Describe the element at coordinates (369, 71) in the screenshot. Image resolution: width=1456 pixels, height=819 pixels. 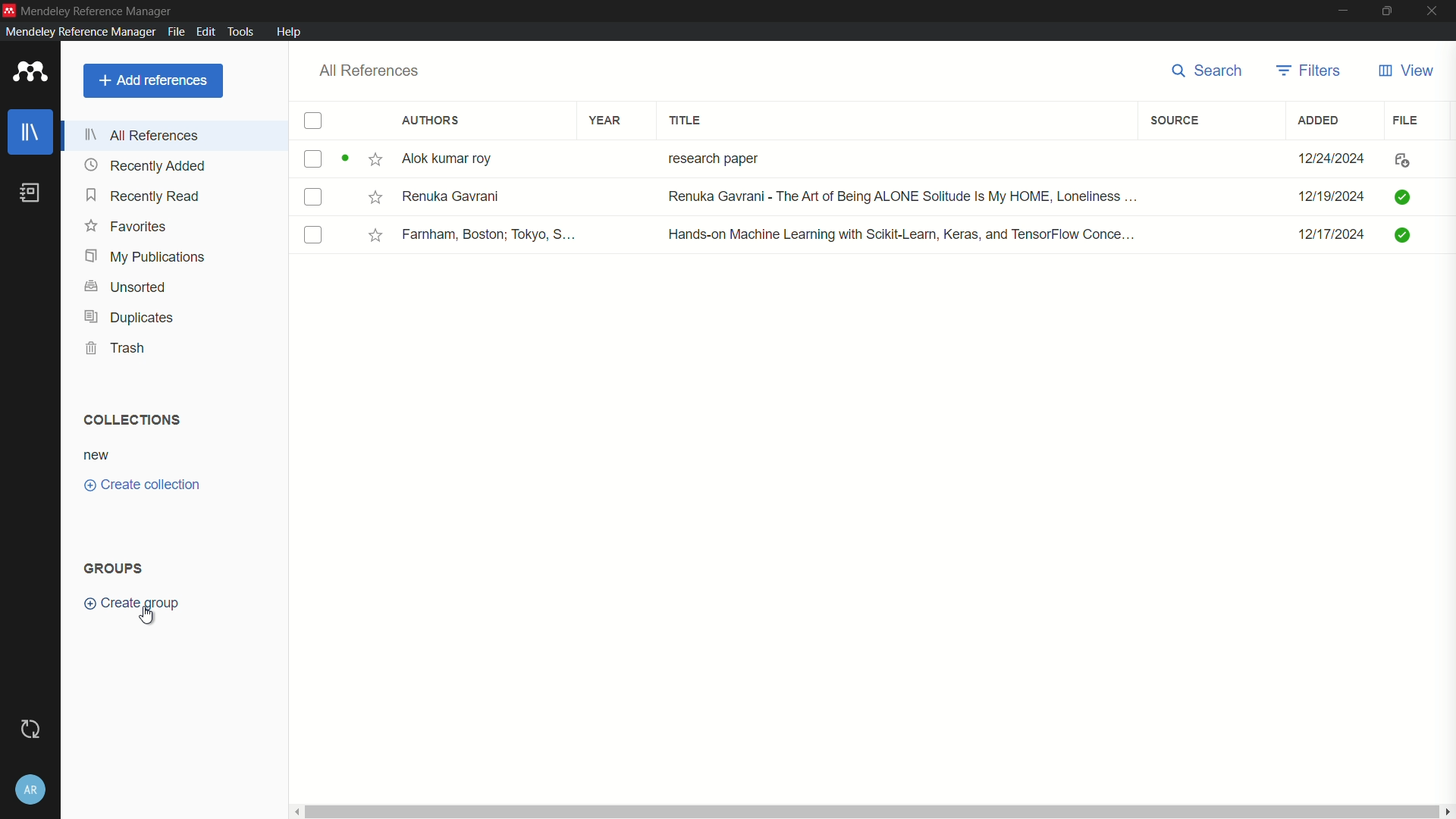
I see `all references` at that location.